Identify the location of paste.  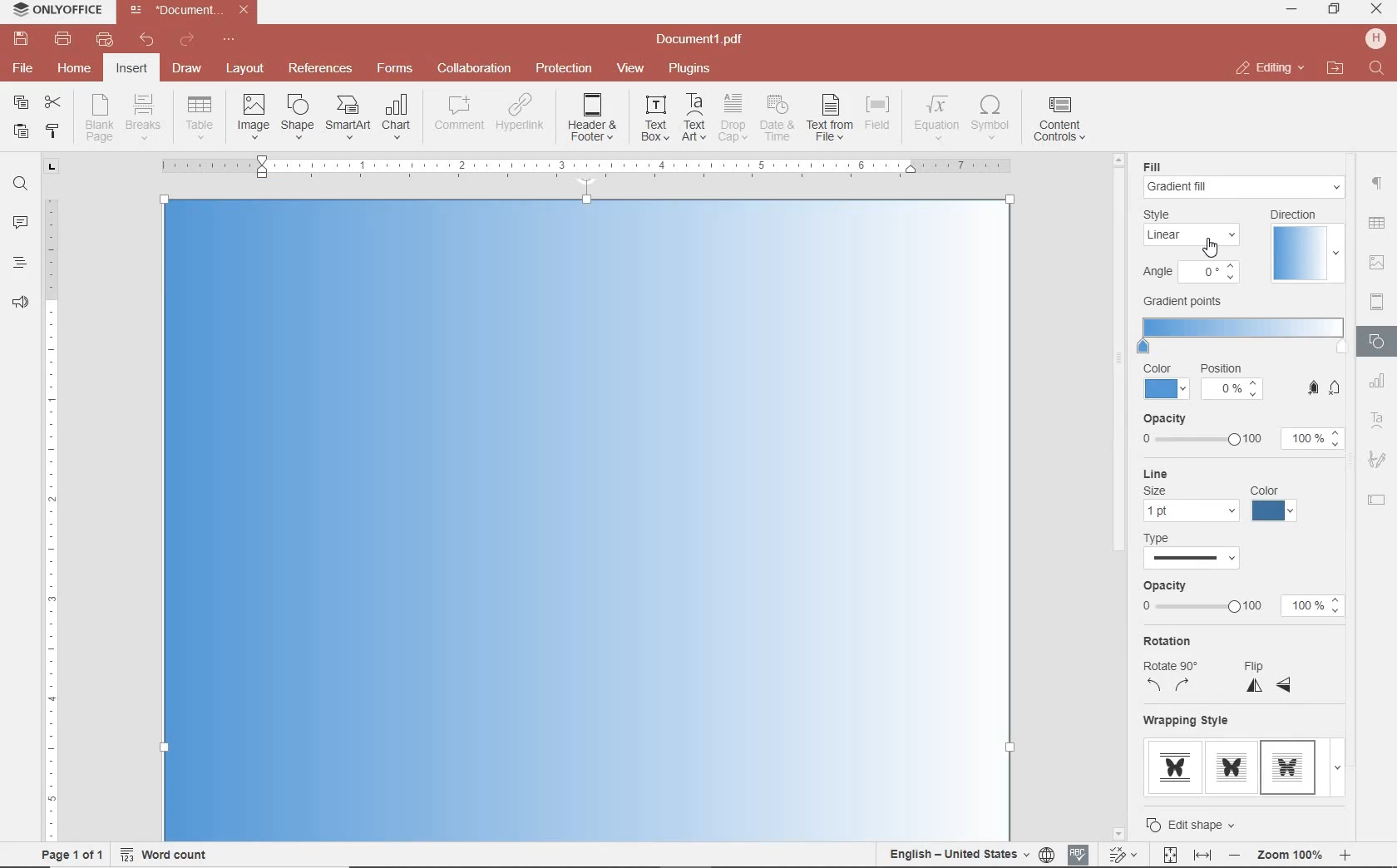
(19, 131).